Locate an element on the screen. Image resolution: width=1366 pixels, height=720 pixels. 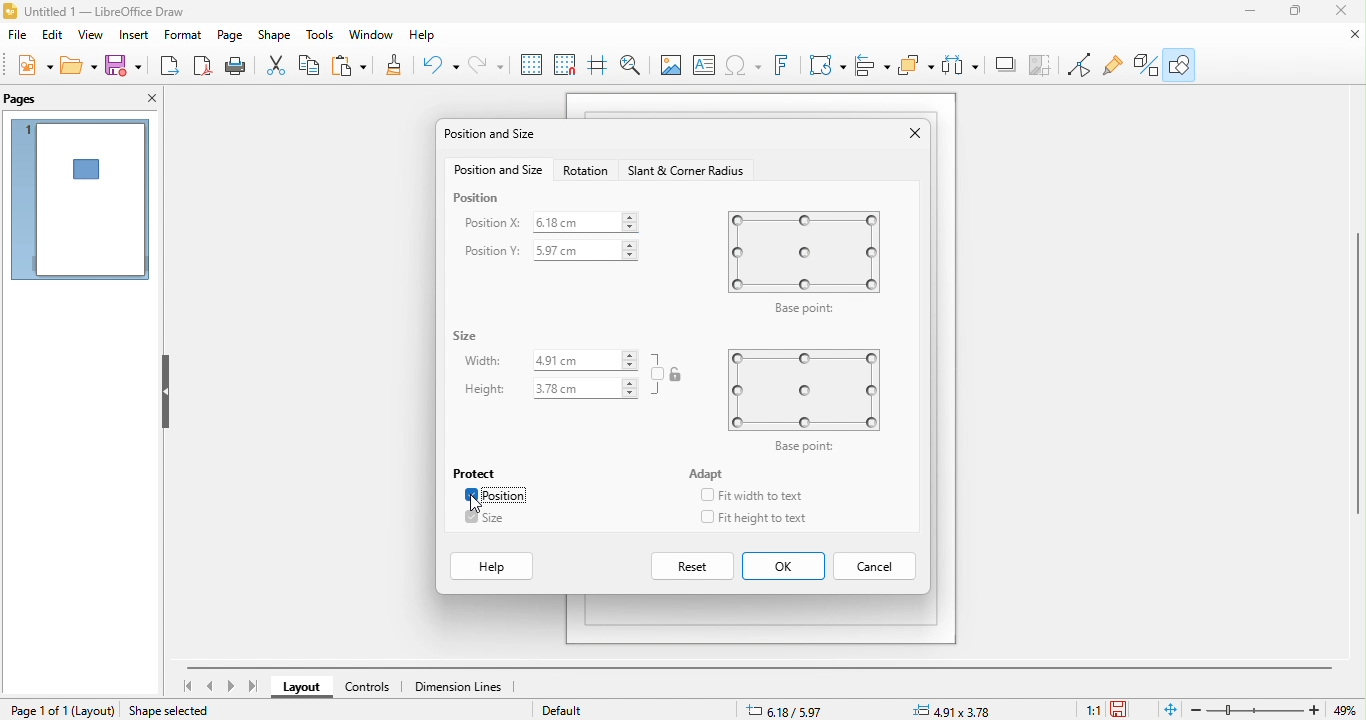
default is located at coordinates (575, 709).